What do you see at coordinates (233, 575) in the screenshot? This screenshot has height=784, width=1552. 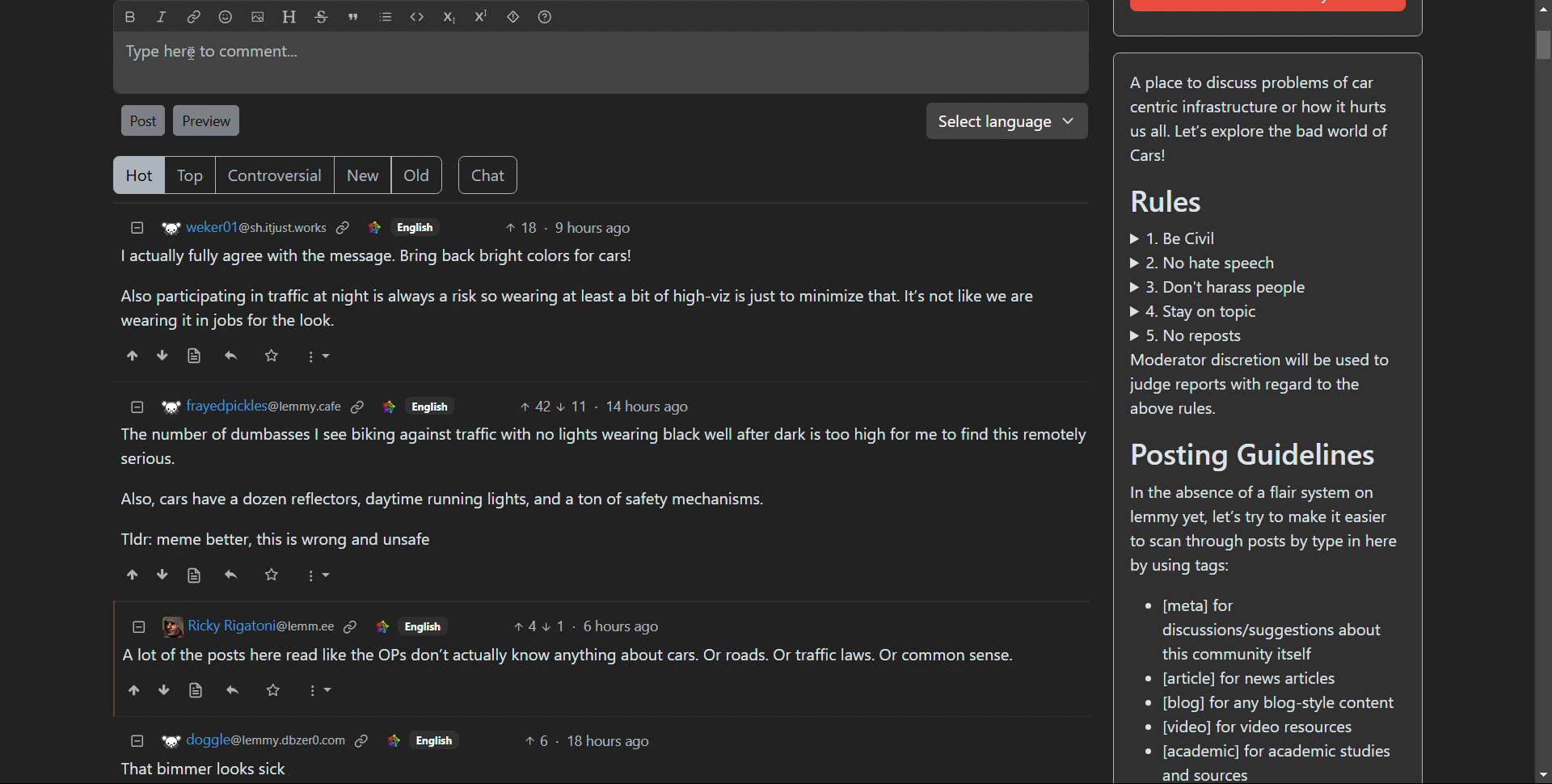 I see `reply` at bounding box center [233, 575].